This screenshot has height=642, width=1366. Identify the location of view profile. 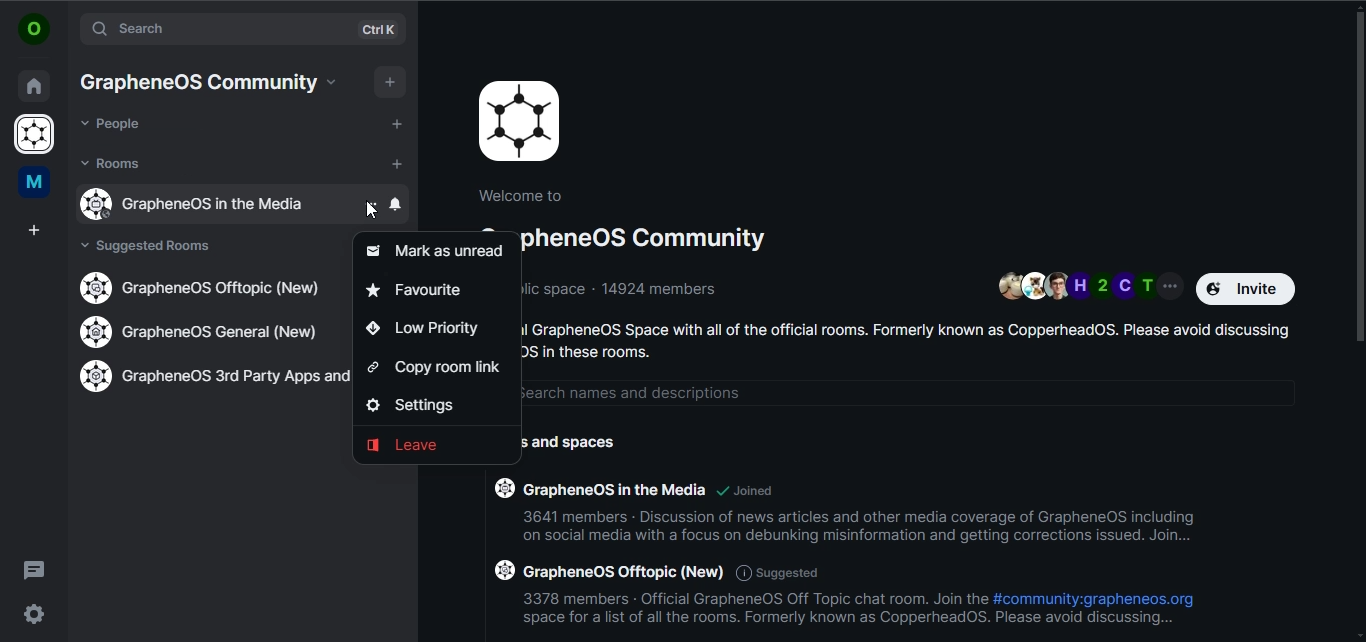
(32, 29).